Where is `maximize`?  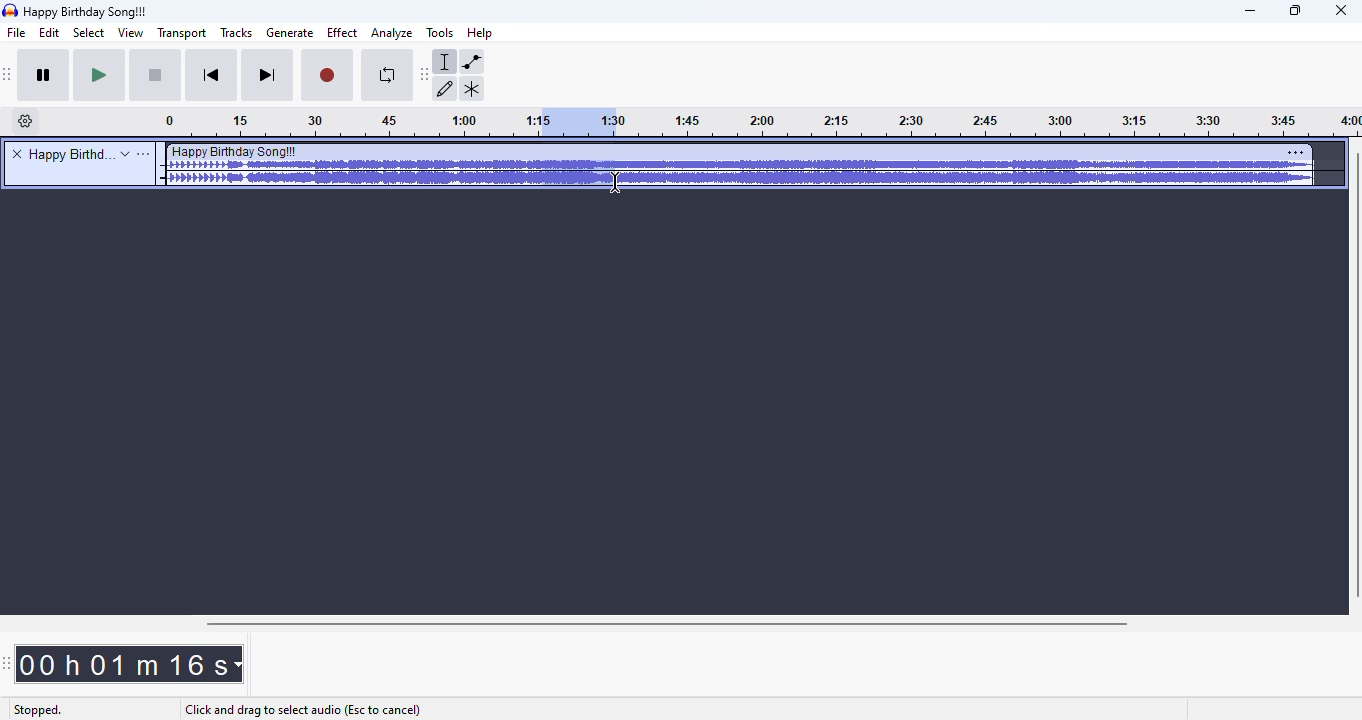 maximize is located at coordinates (1296, 11).